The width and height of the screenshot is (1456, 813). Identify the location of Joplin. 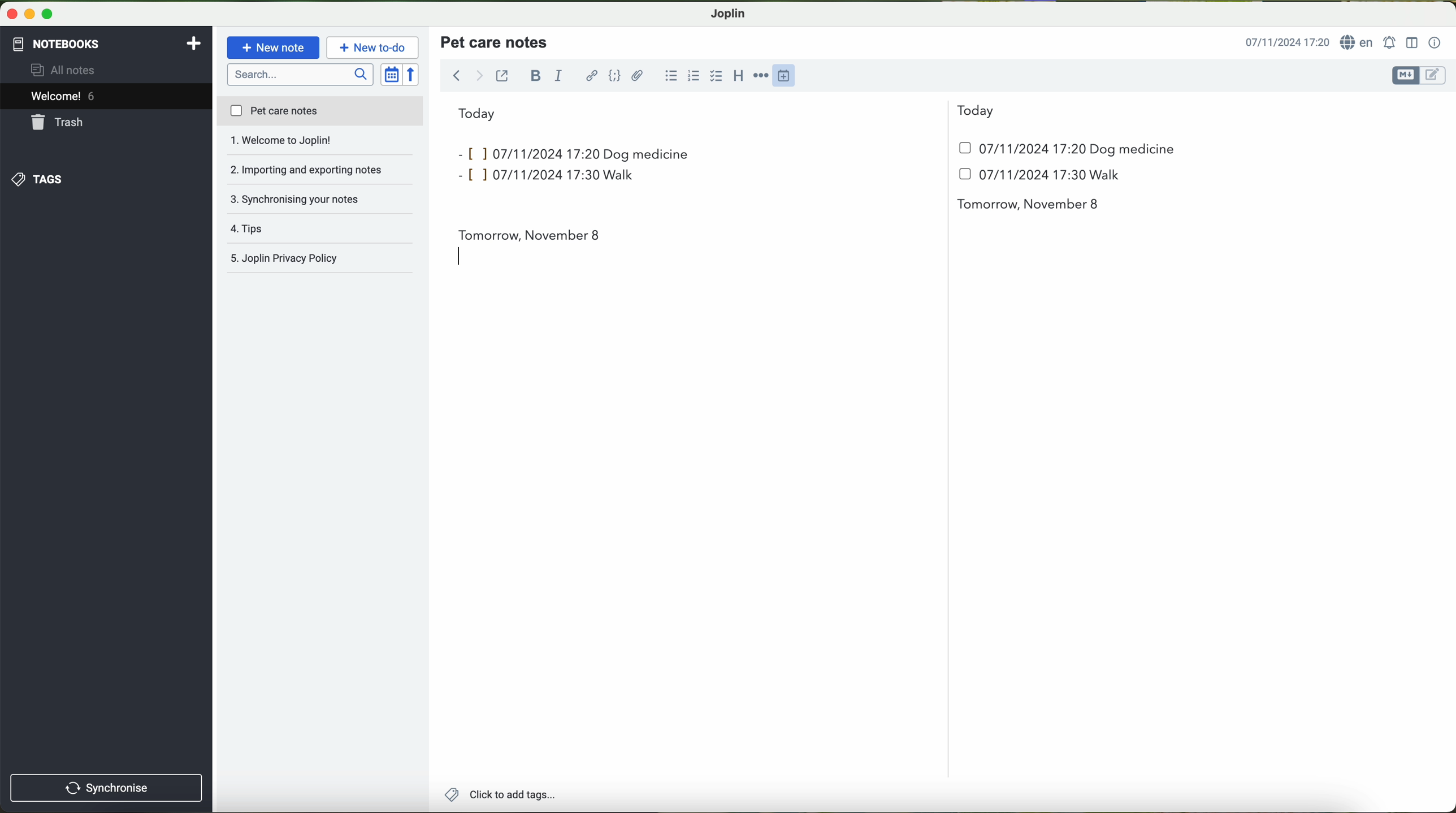
(729, 12).